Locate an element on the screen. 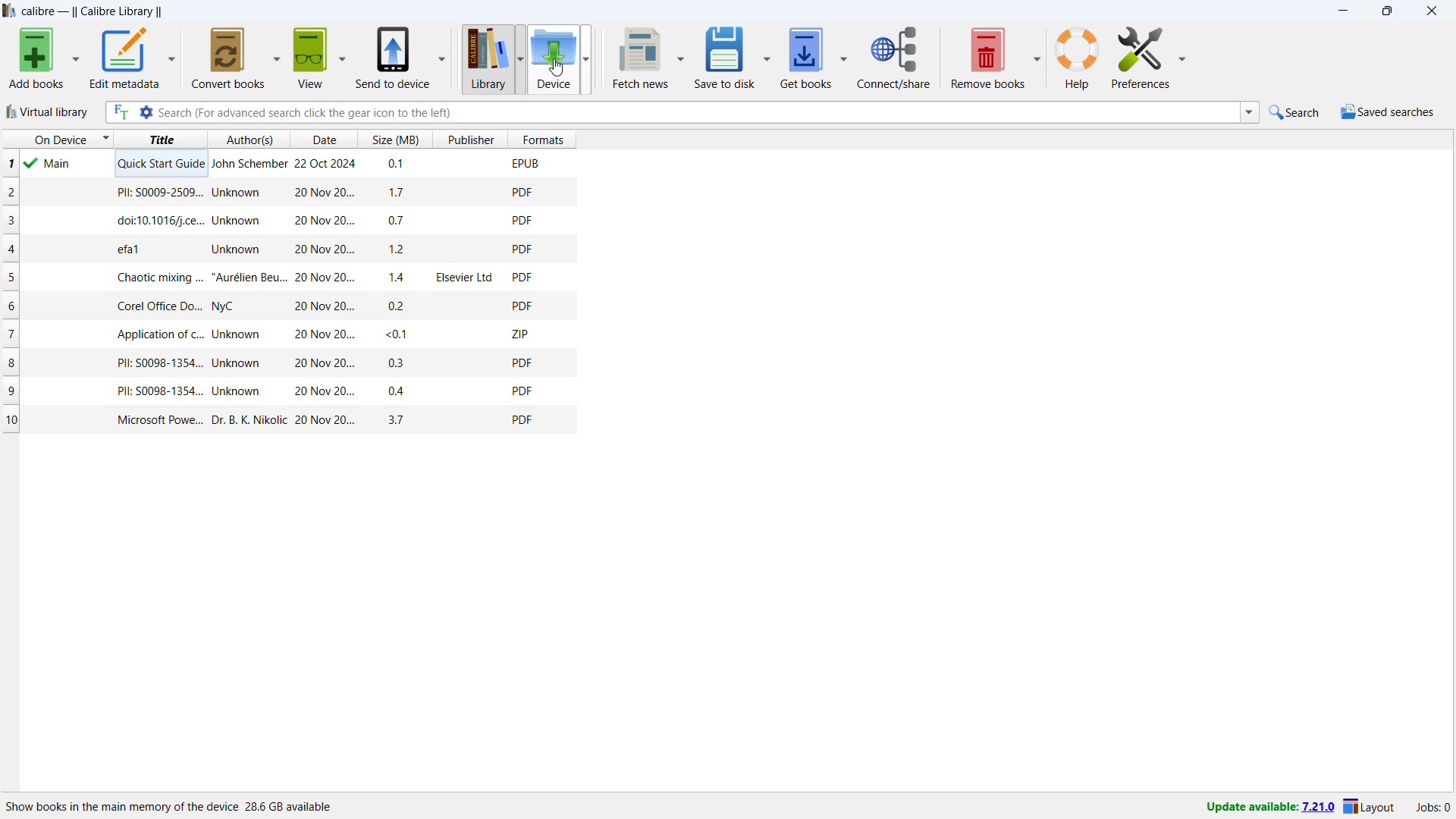 This screenshot has width=1456, height=819. save to disk options is located at coordinates (767, 55).